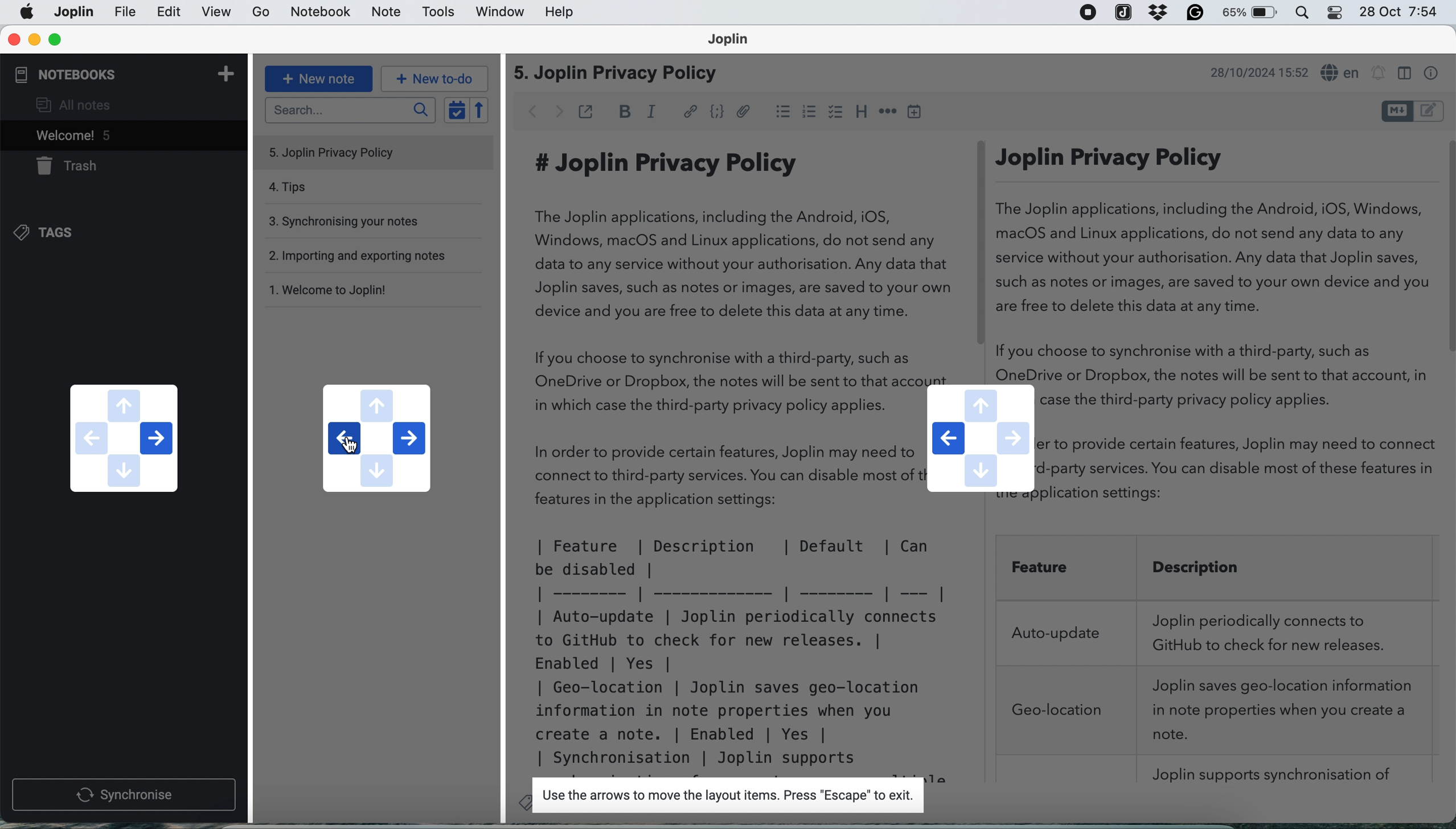  I want to click on dropbox, so click(1155, 13).